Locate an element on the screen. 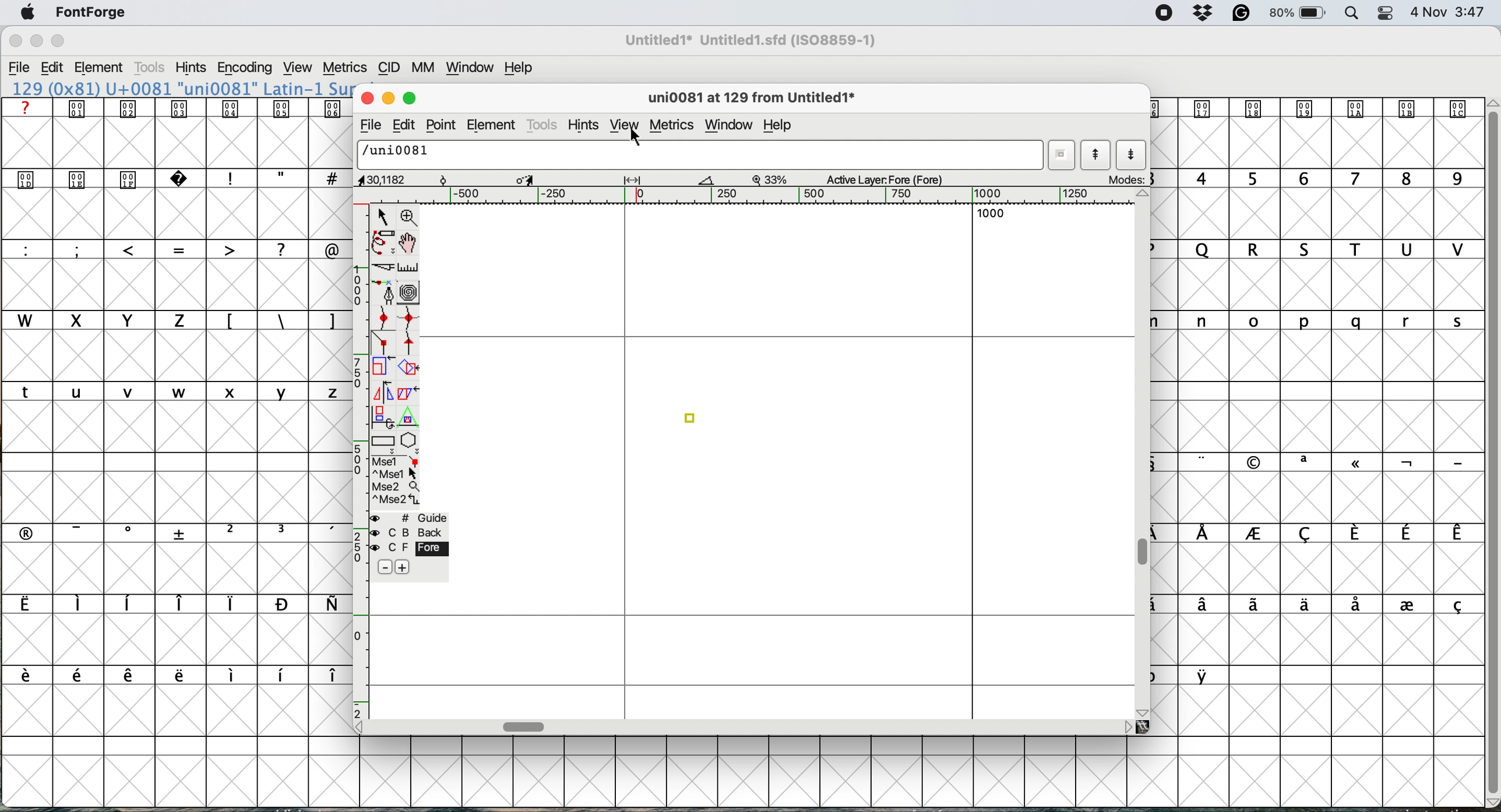  Grammarly Icon is located at coordinates (1242, 14).